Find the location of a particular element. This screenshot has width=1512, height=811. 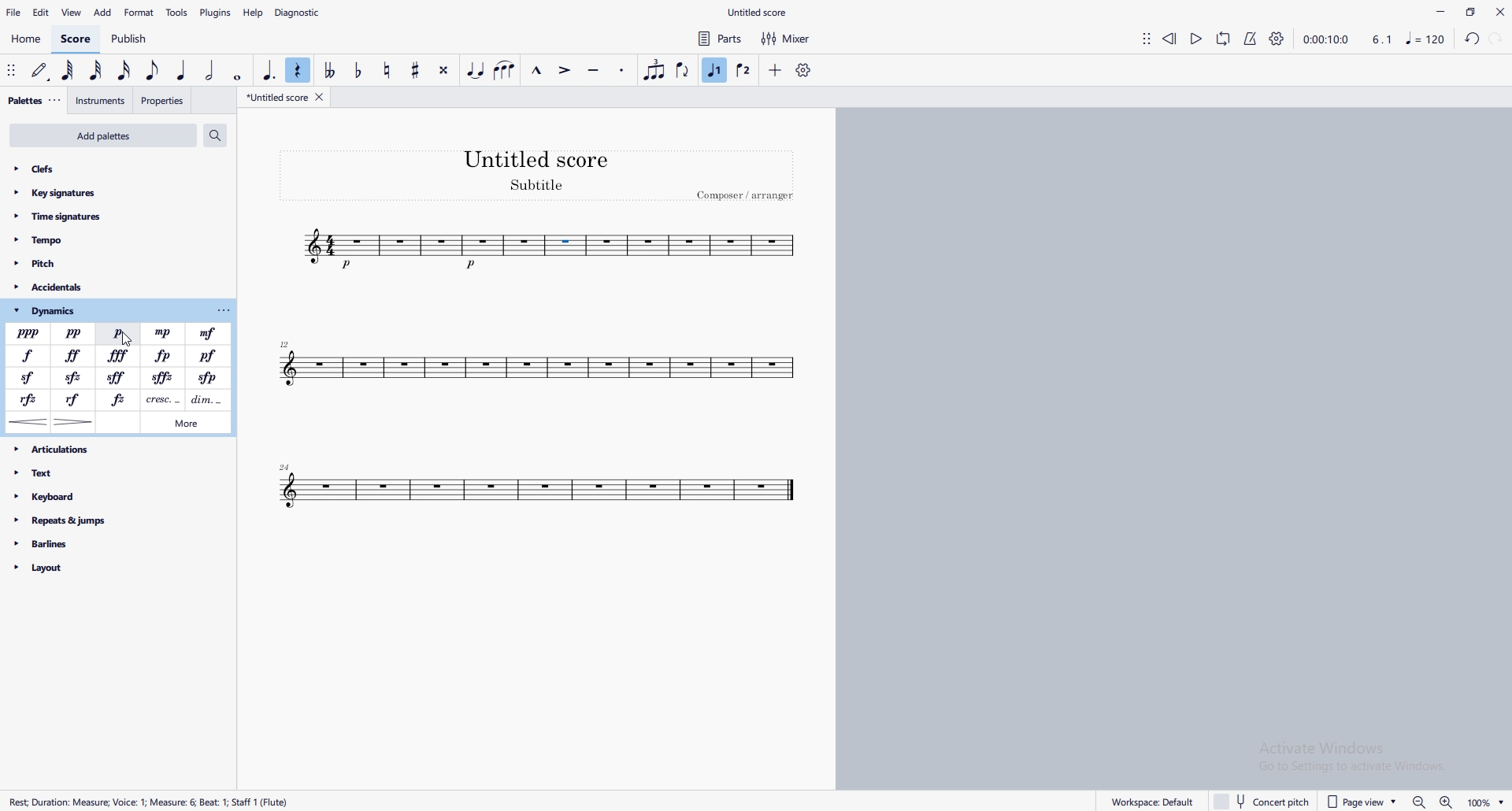

Rect Duration: Measure: Voice: 1 Mesure 6 is located at coordinates (150, 802).